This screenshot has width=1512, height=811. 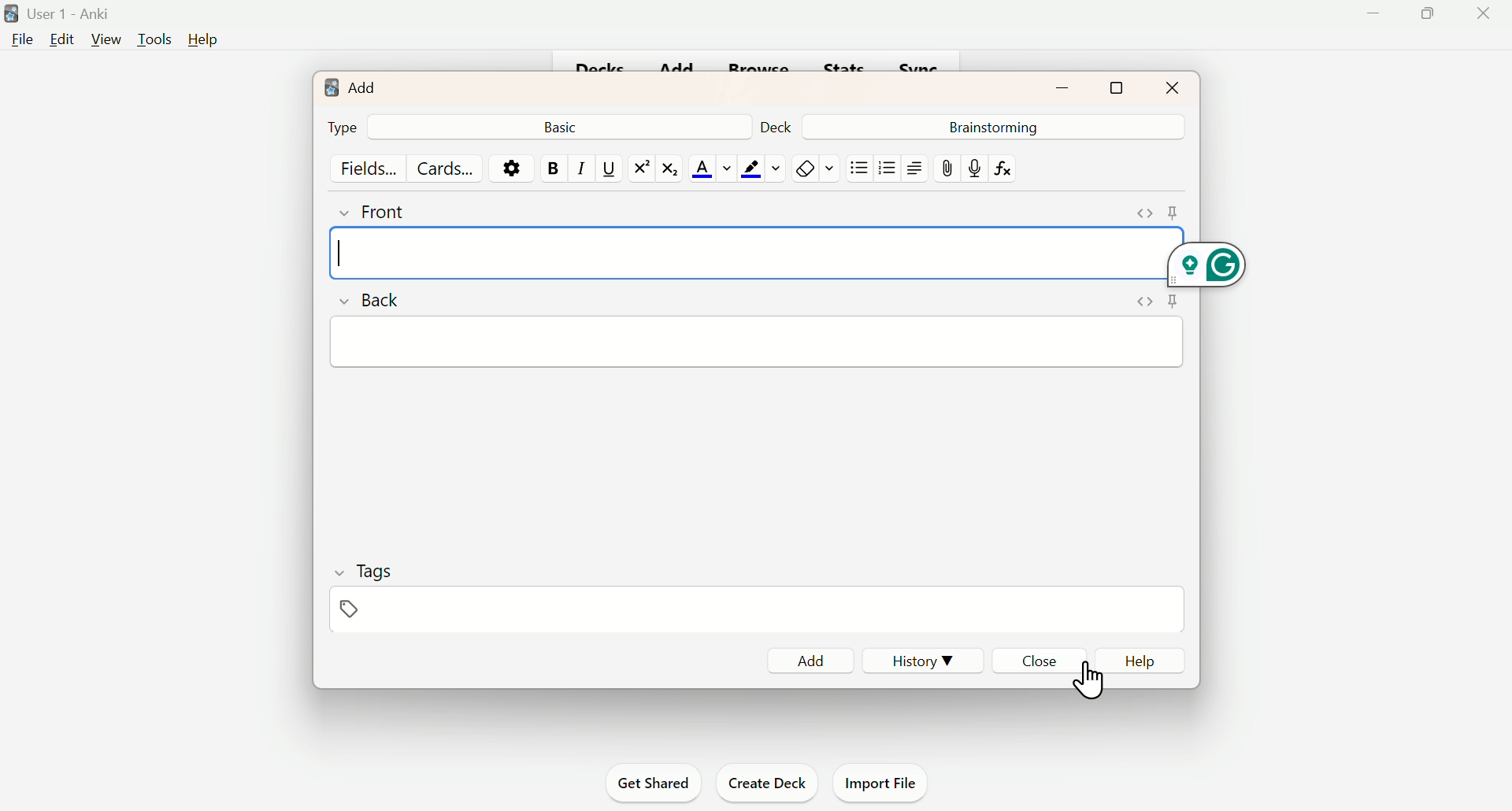 What do you see at coordinates (782, 124) in the screenshot?
I see `Deck` at bounding box center [782, 124].